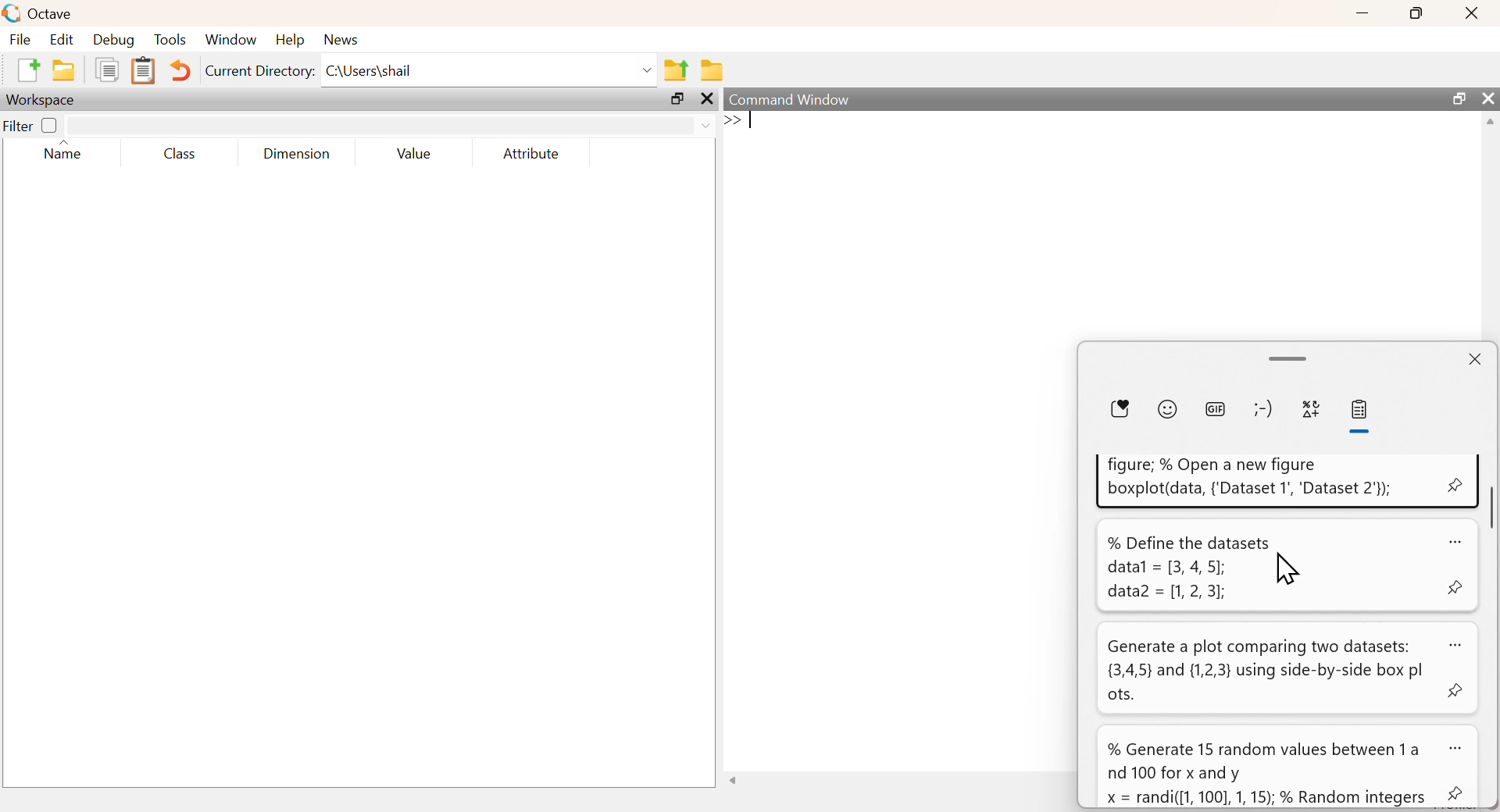 This screenshot has height=812, width=1500. Describe the element at coordinates (230, 40) in the screenshot. I see `Window` at that location.